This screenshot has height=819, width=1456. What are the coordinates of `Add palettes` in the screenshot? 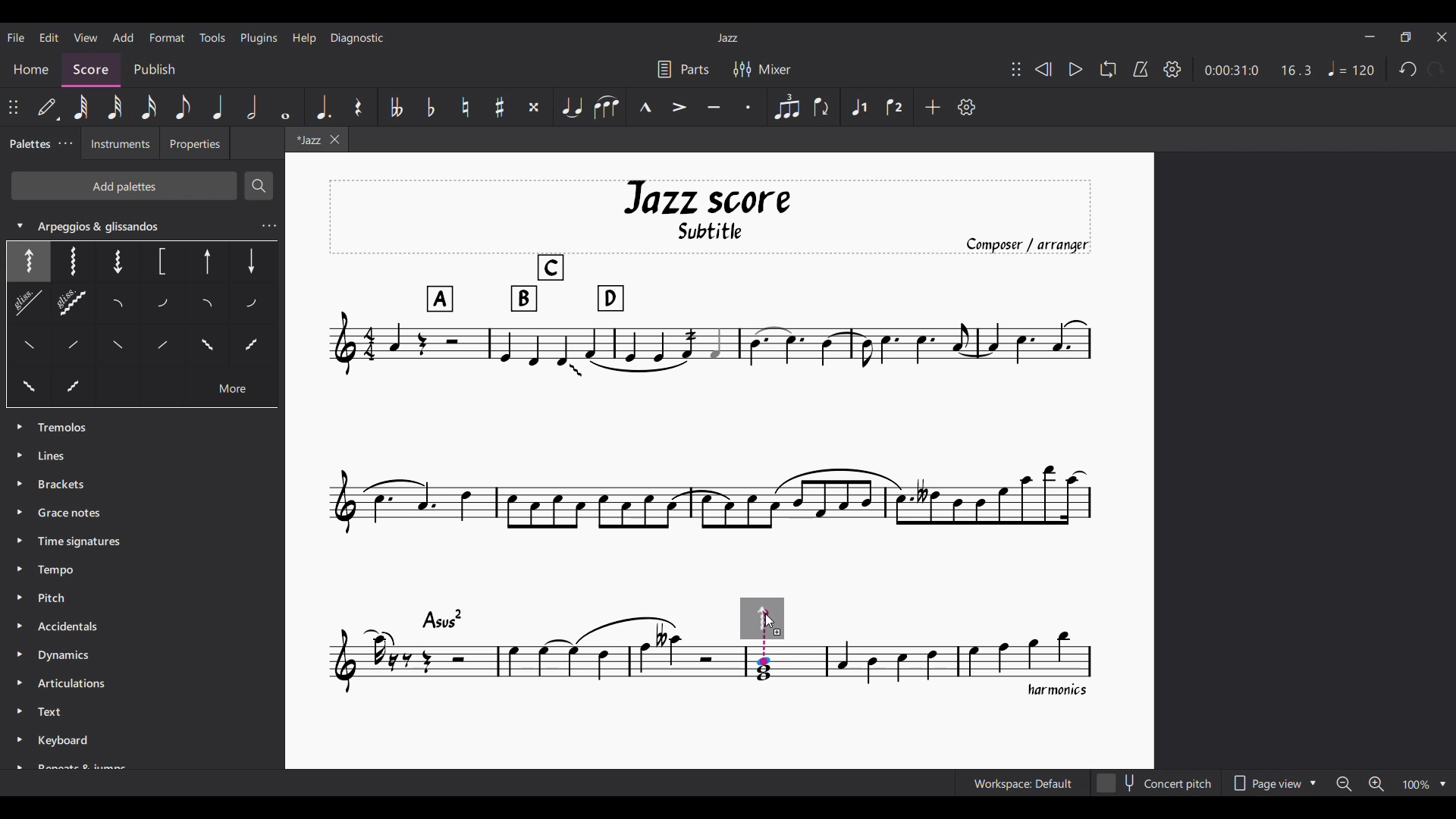 It's located at (124, 186).